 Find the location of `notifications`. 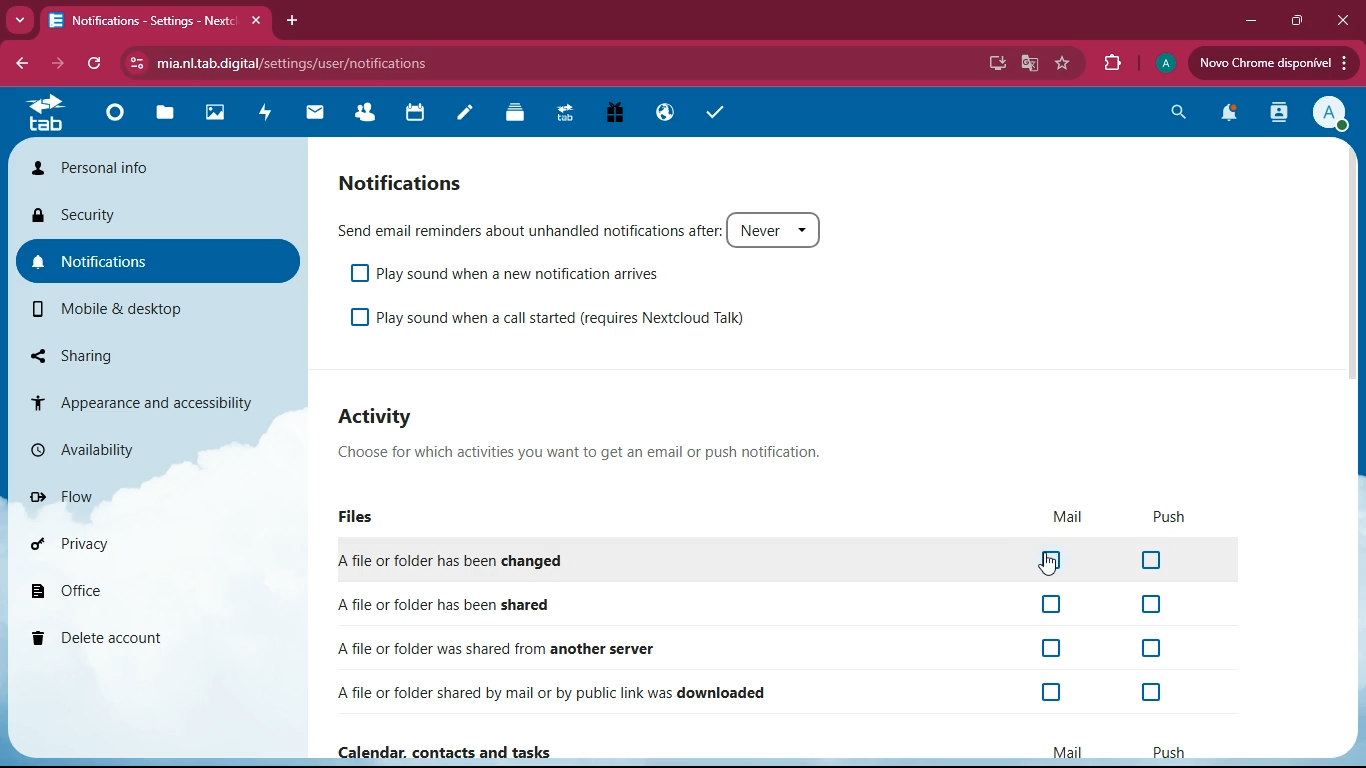

notifications is located at coordinates (1229, 115).